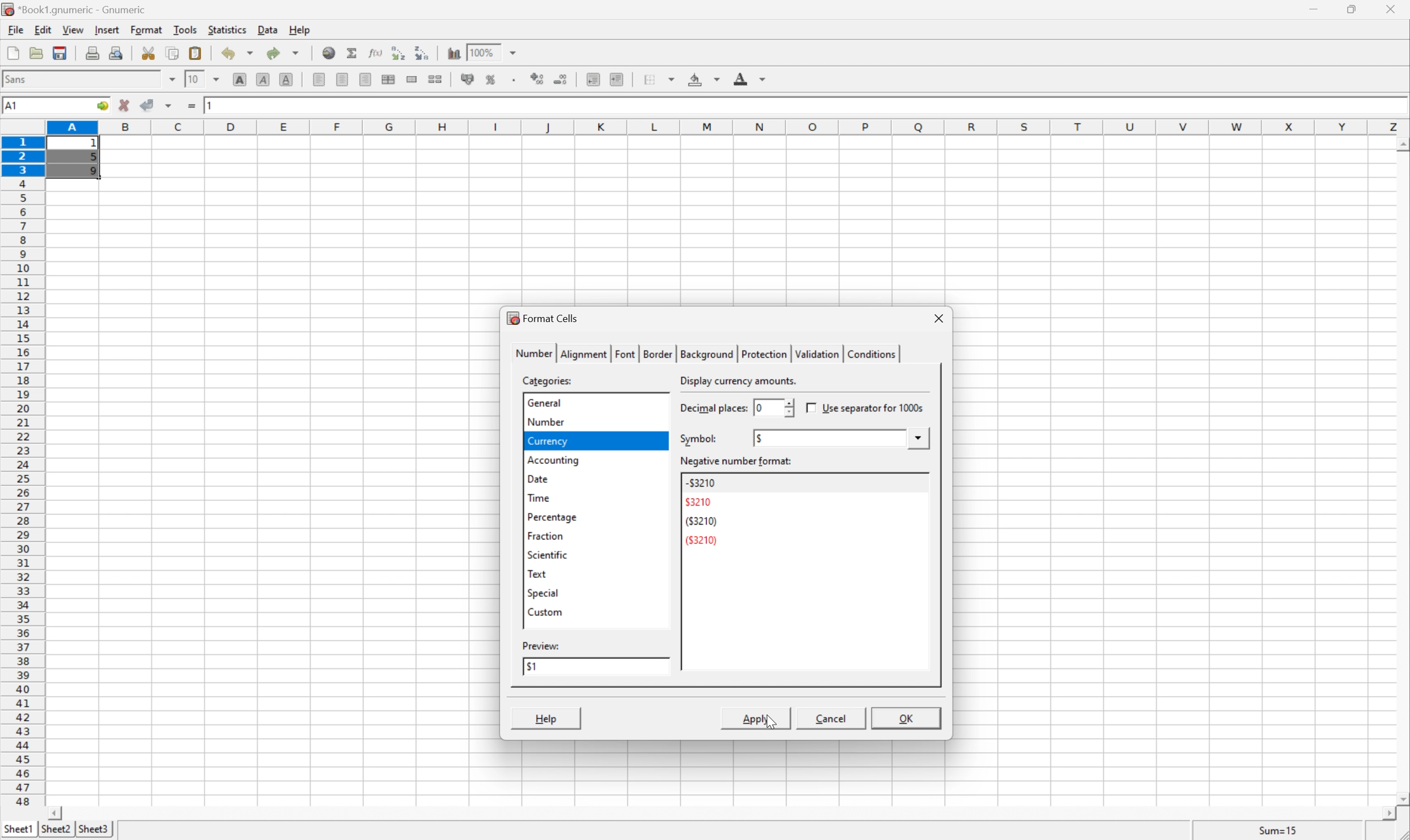 Image resolution: width=1410 pixels, height=840 pixels. I want to click on scientific, so click(548, 556).